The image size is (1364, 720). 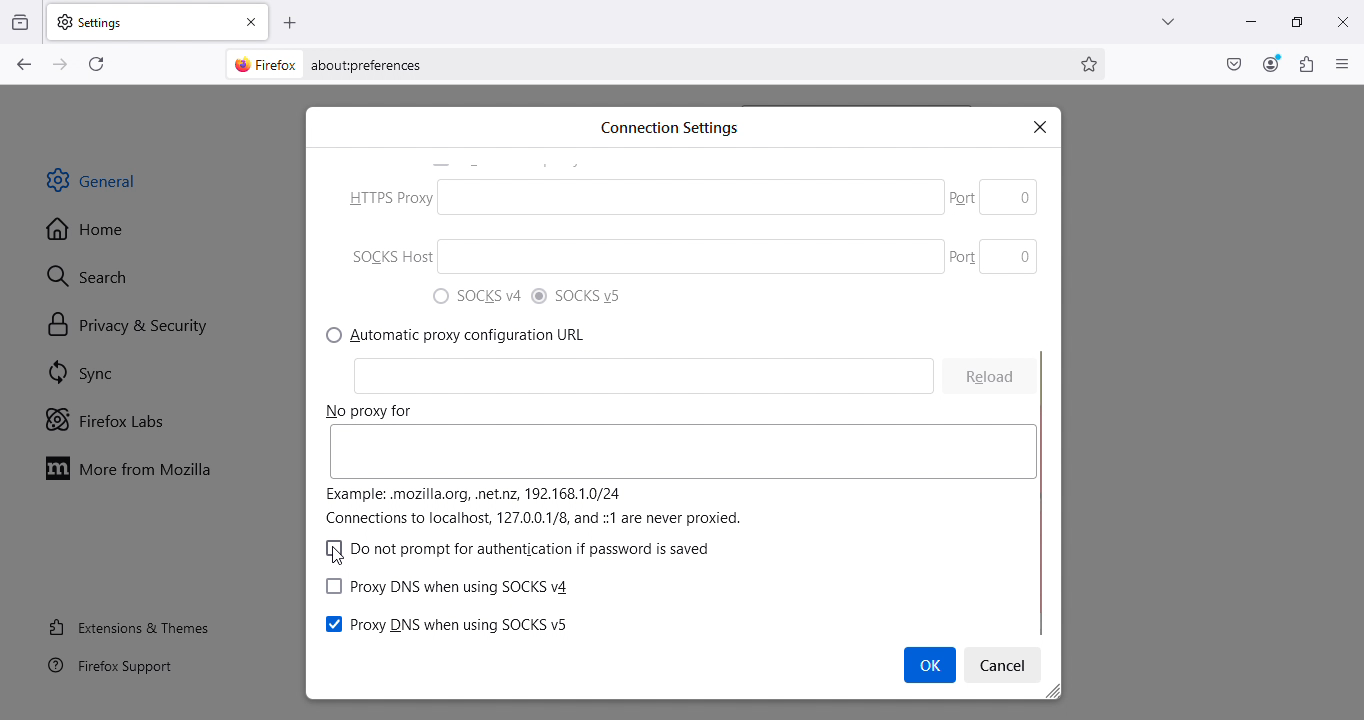 I want to click on Privacy and security, so click(x=126, y=325).